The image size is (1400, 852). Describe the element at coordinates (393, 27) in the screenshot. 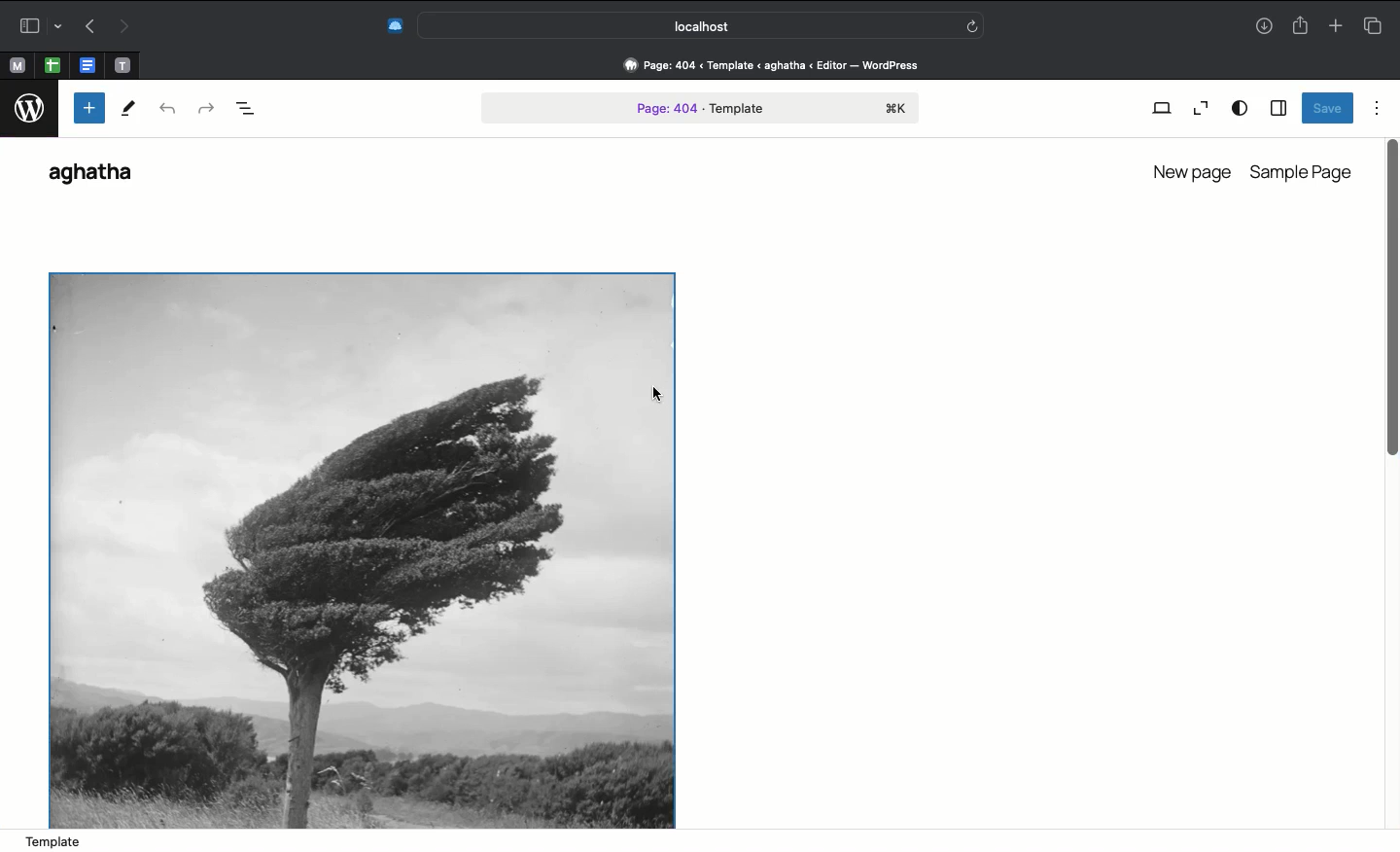

I see `Extensions` at that location.